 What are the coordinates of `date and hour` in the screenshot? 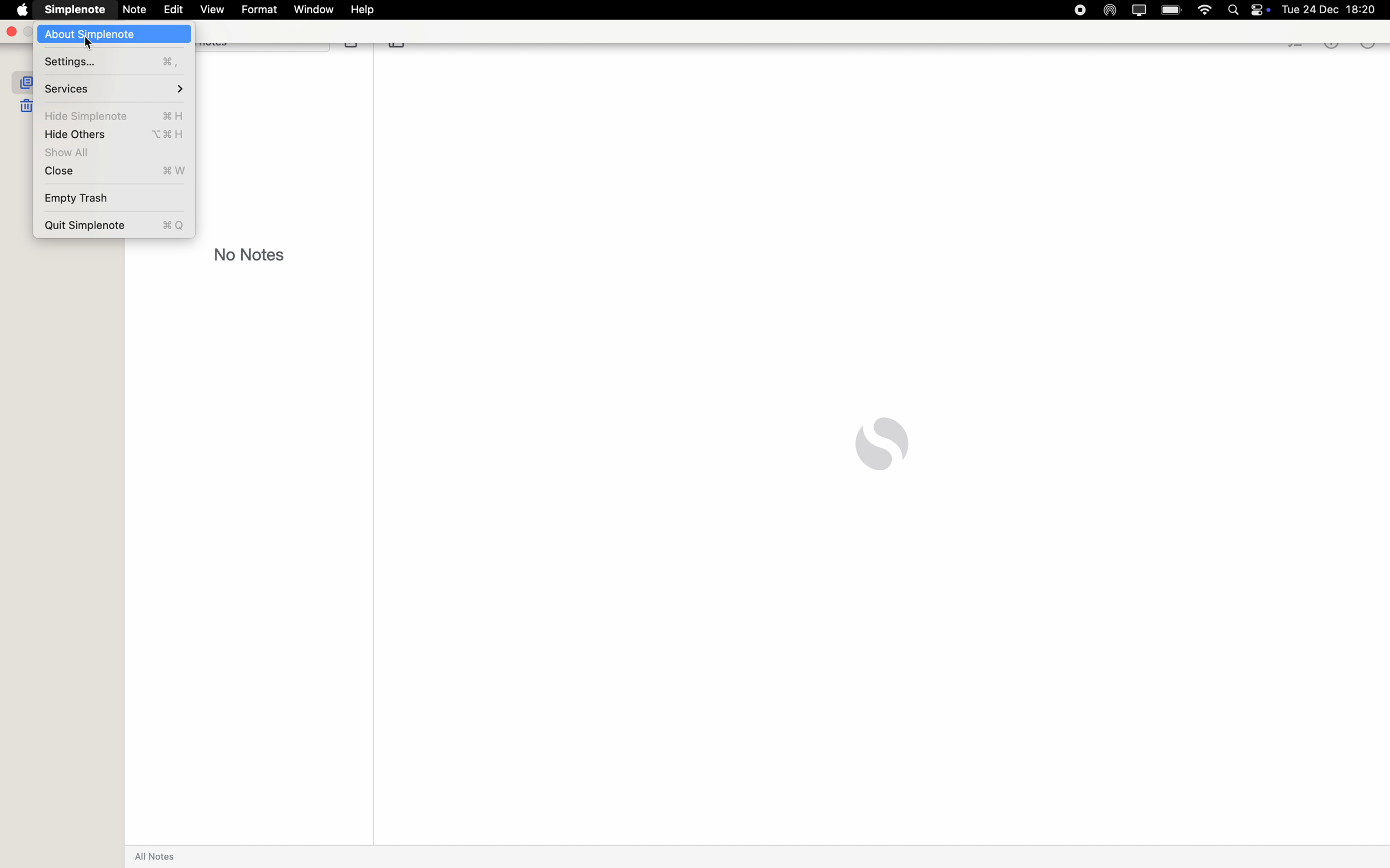 It's located at (1335, 9).